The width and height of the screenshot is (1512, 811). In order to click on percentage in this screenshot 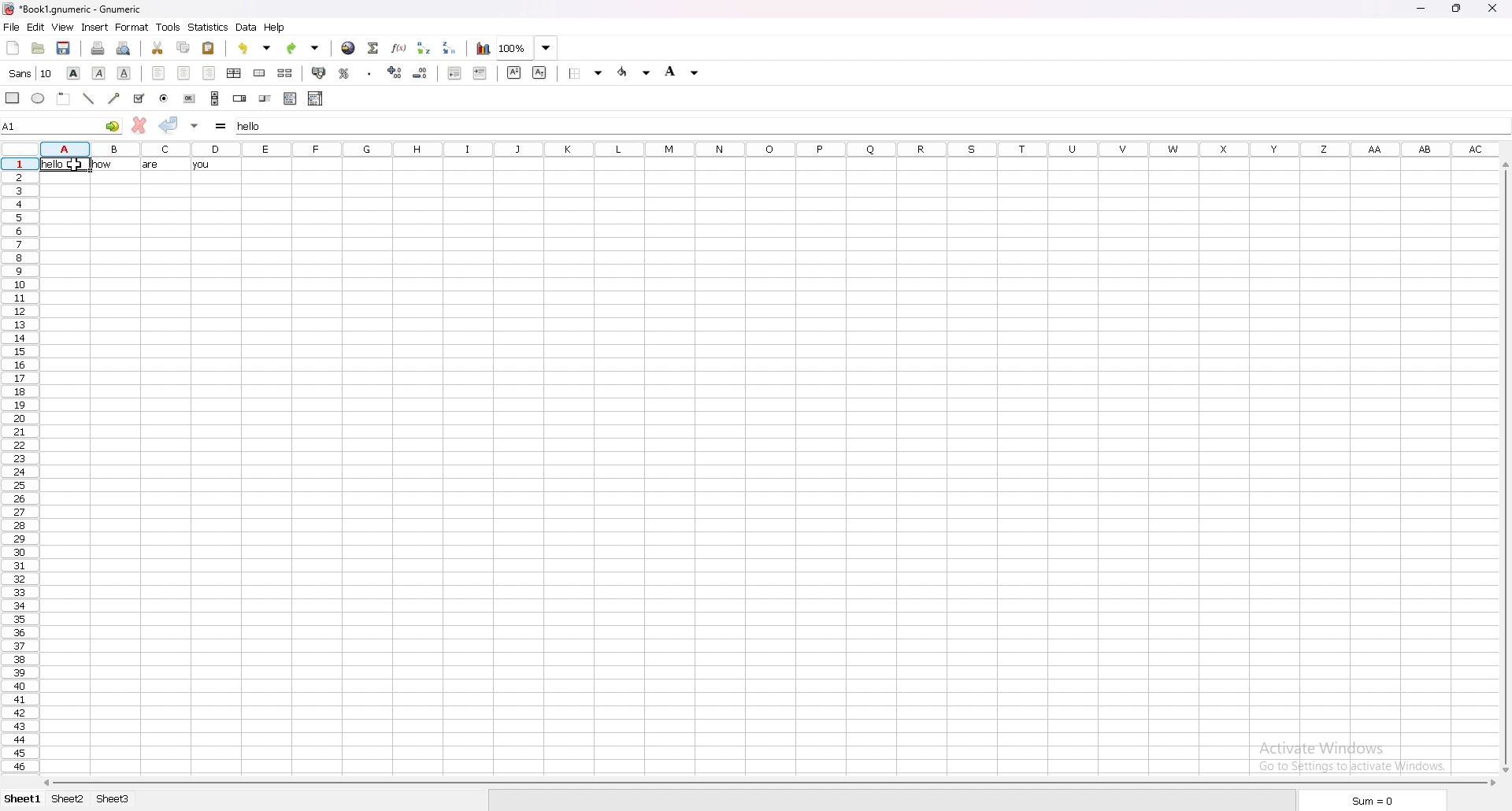, I will do `click(346, 72)`.